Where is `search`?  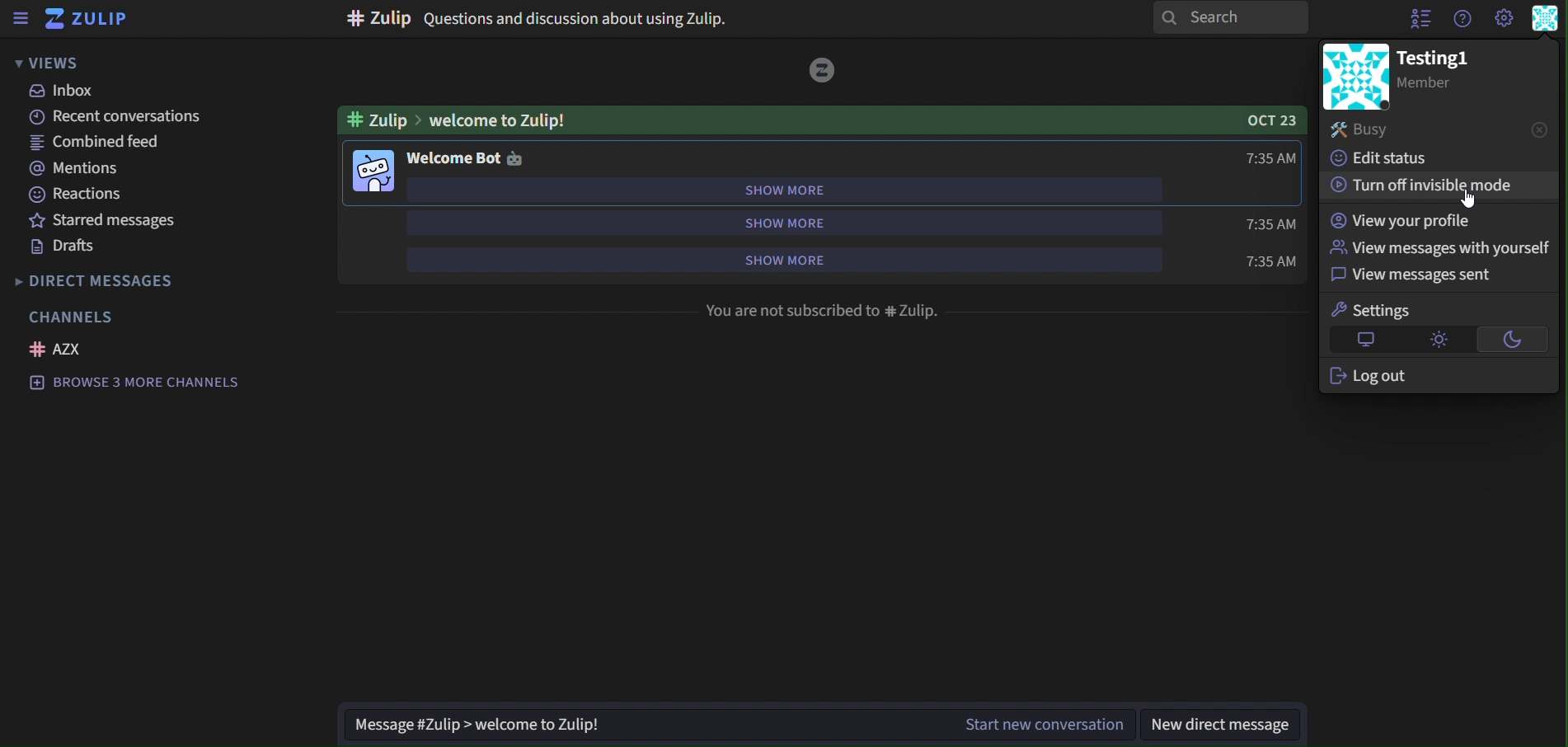 search is located at coordinates (1229, 18).